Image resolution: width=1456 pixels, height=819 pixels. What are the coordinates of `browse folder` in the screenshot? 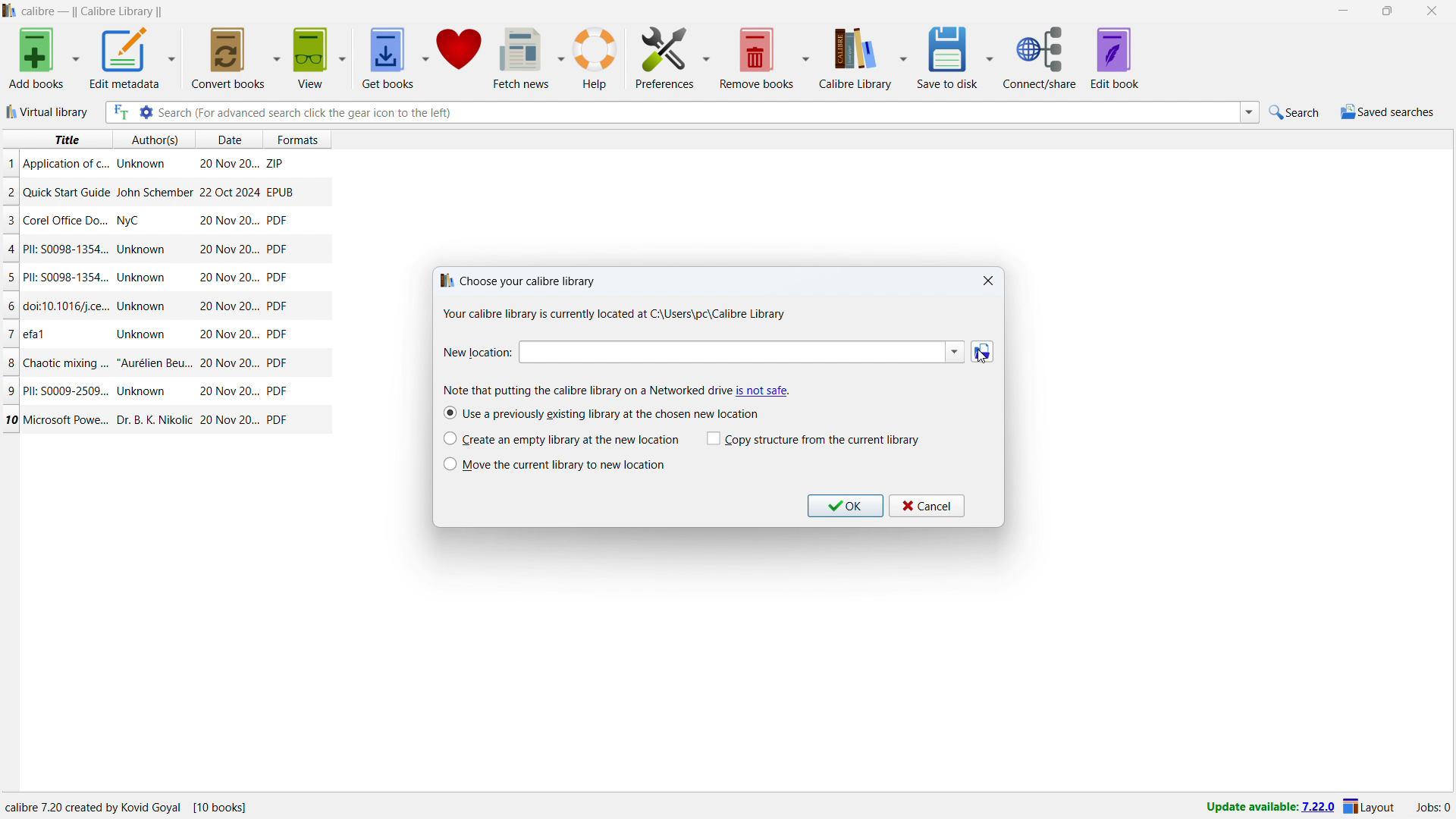 It's located at (982, 352).